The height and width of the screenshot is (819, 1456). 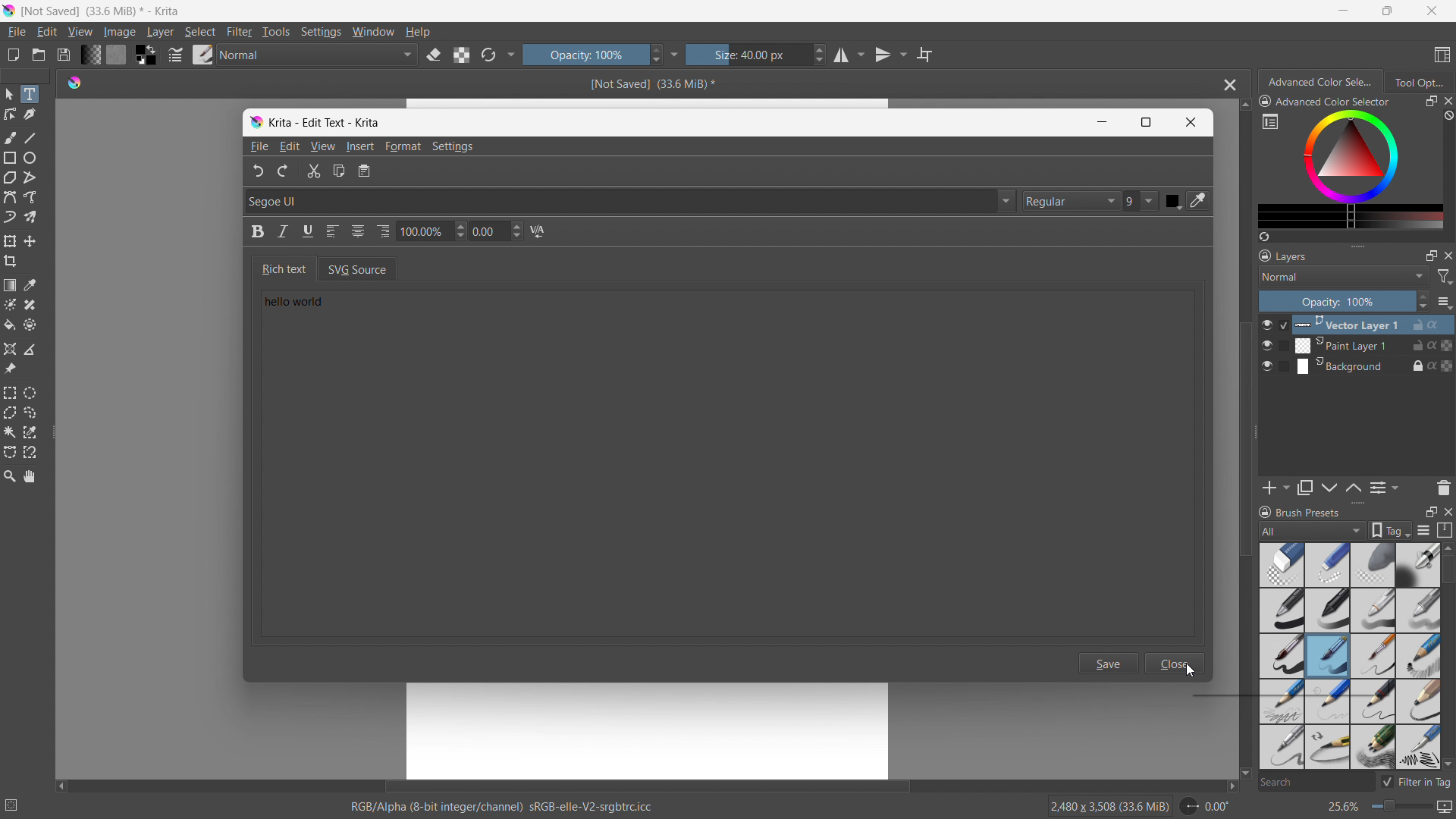 What do you see at coordinates (1385, 11) in the screenshot?
I see `maximize` at bounding box center [1385, 11].